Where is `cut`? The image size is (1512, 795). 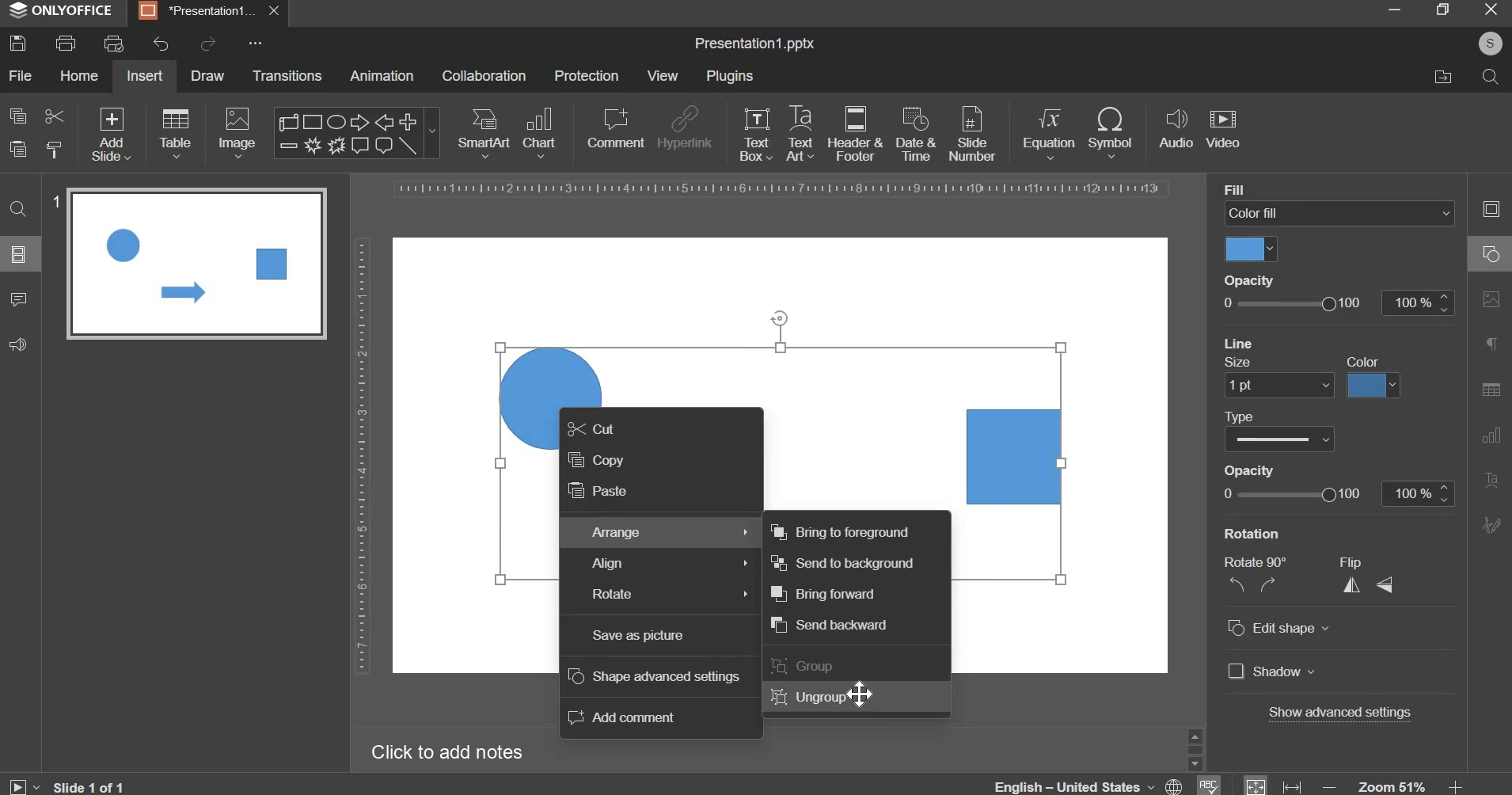
cut is located at coordinates (591, 428).